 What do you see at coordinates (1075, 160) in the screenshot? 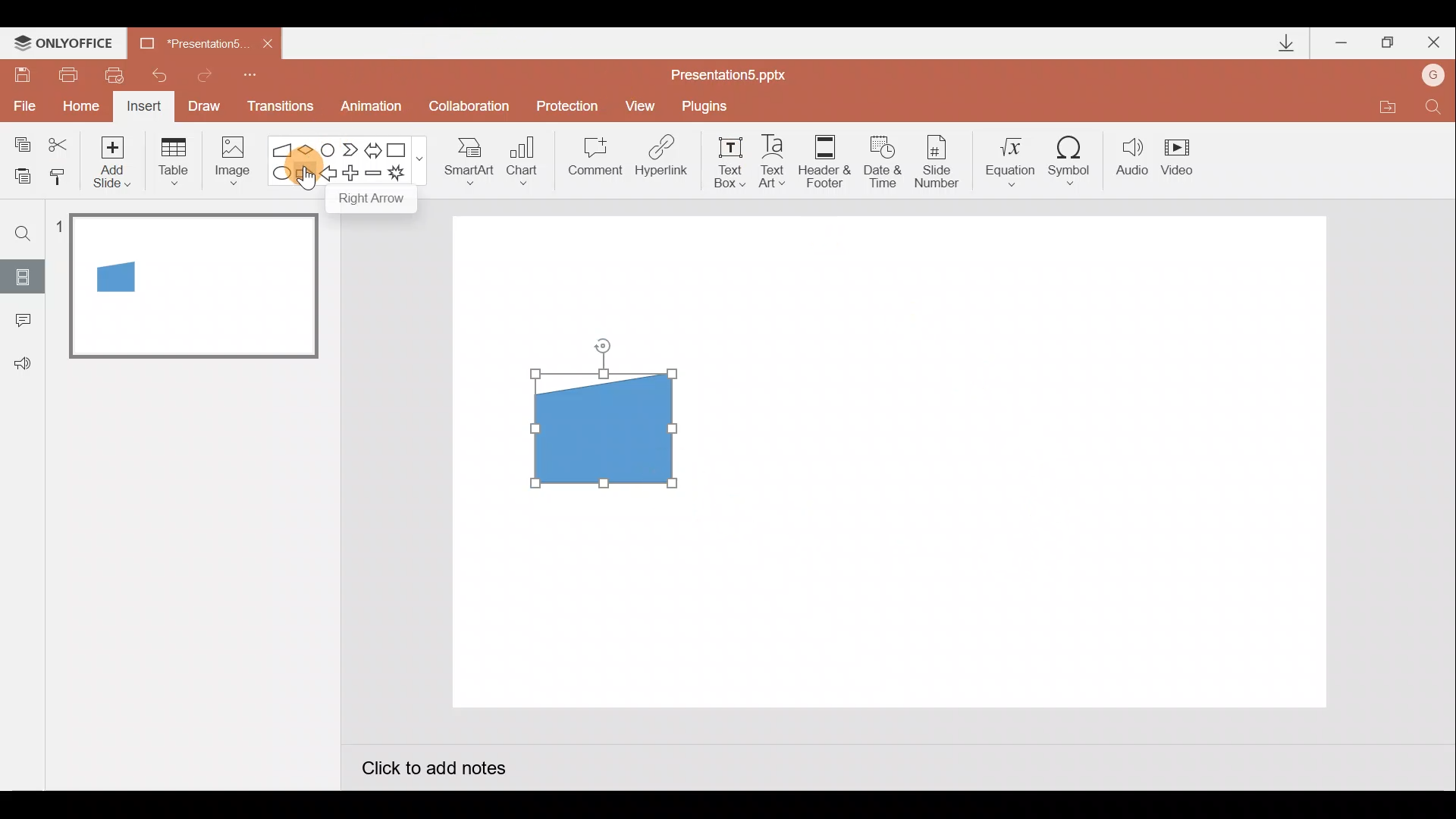
I see `Symbol` at bounding box center [1075, 160].